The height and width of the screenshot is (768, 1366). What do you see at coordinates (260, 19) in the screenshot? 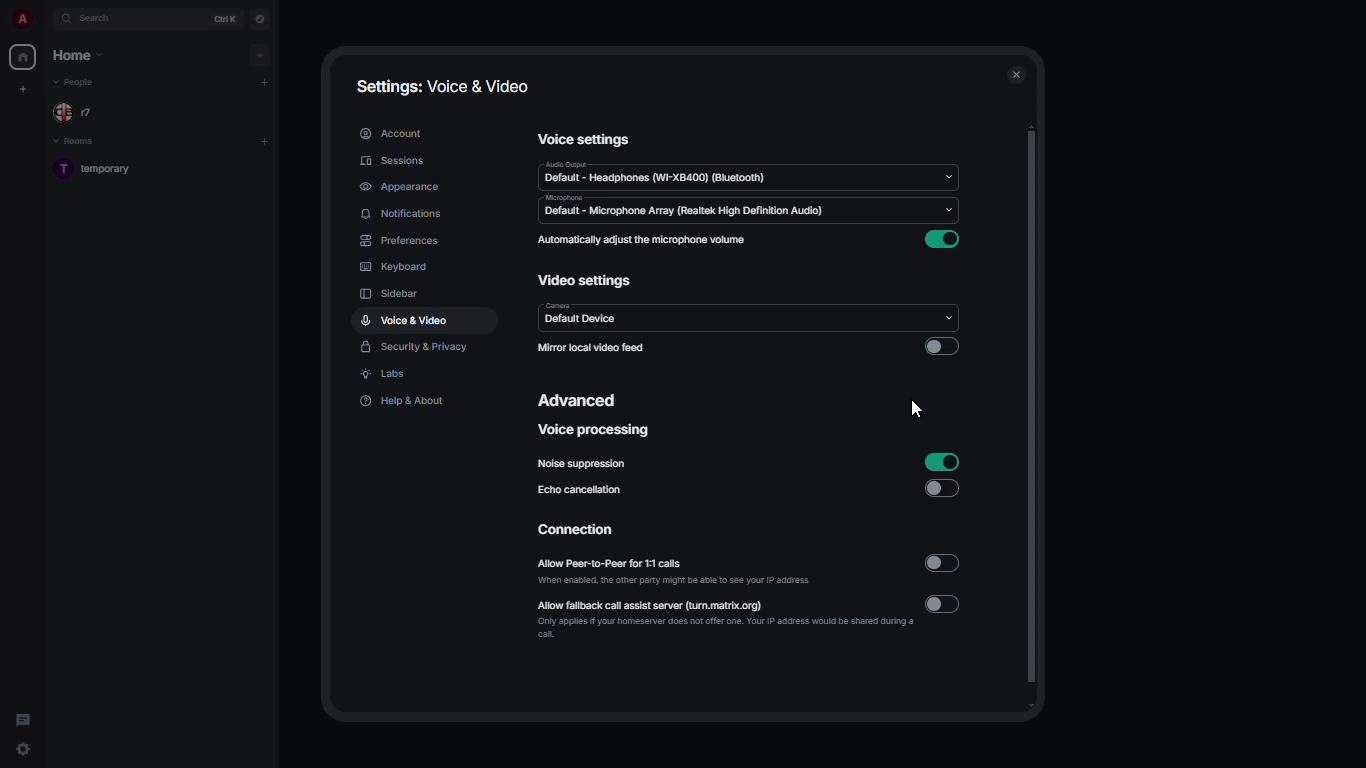
I see `navigator` at bounding box center [260, 19].